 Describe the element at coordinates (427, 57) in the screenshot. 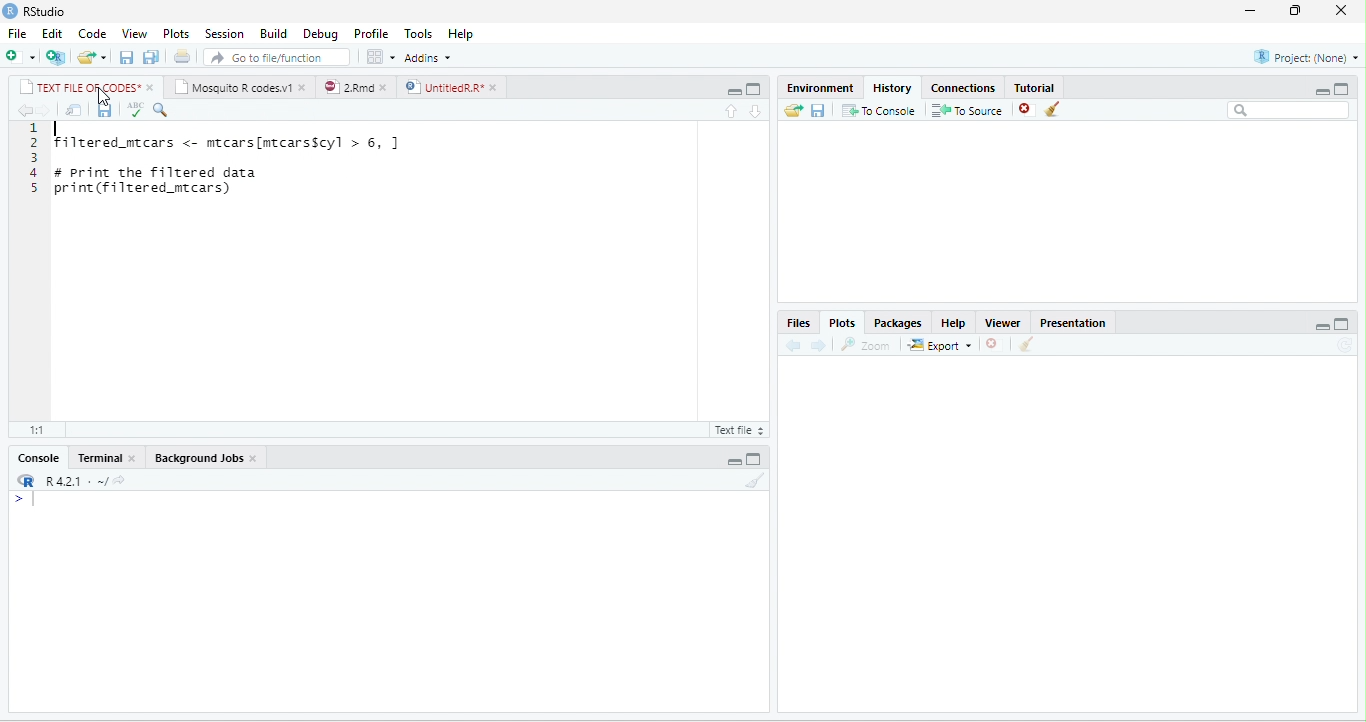

I see `Addins` at that location.